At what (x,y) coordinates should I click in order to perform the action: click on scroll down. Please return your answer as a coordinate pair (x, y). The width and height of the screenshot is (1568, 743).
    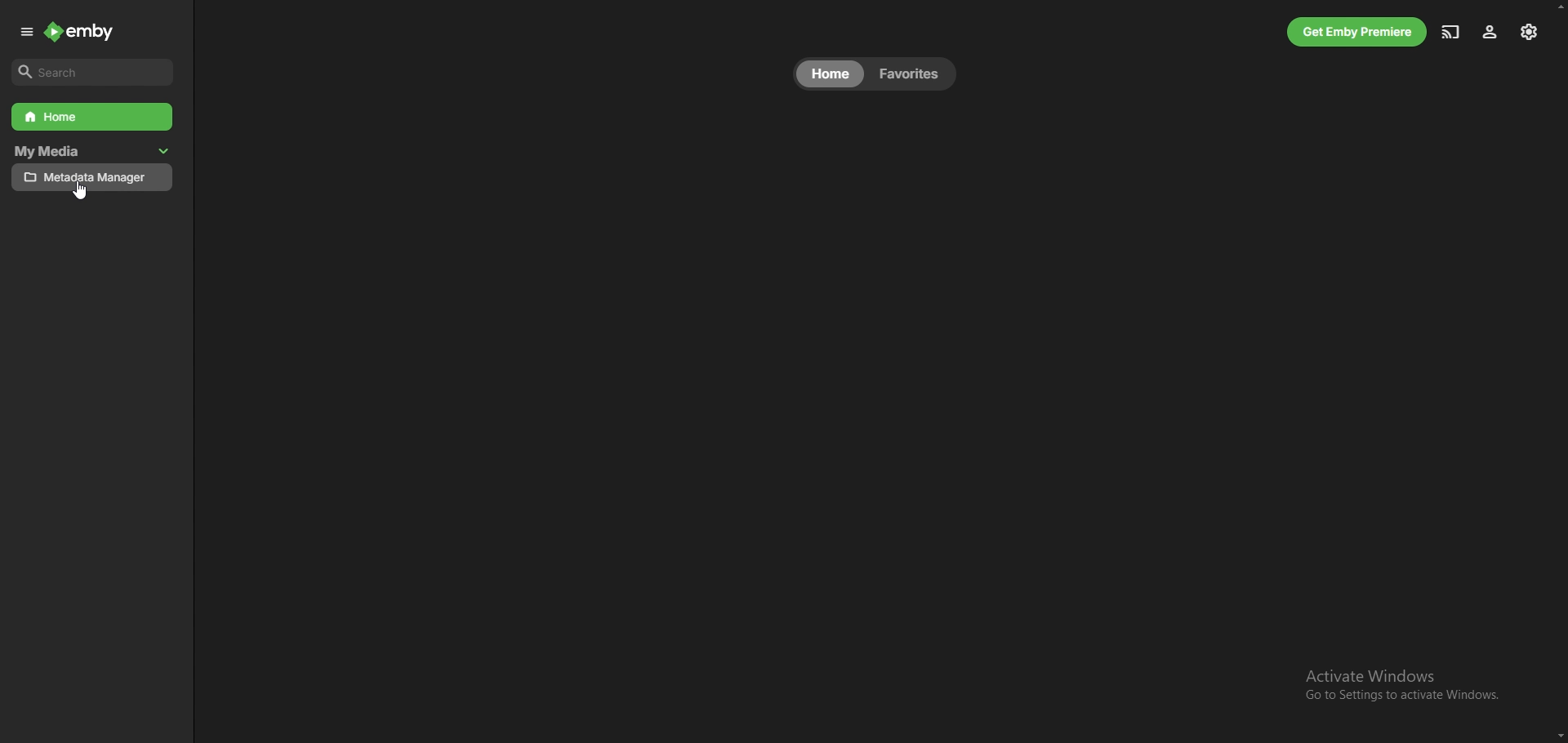
    Looking at the image, I should click on (1557, 736).